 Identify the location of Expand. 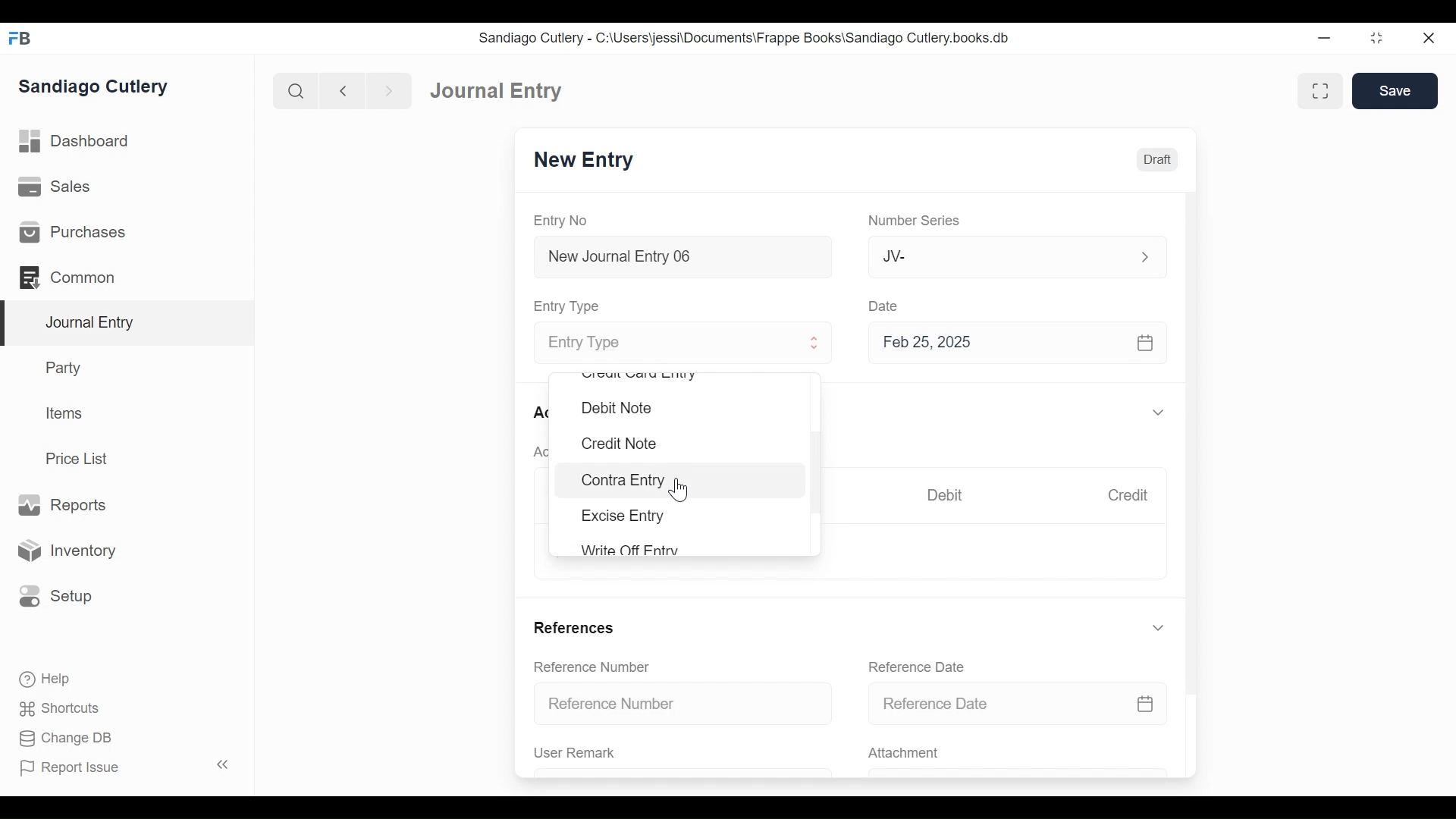
(815, 343).